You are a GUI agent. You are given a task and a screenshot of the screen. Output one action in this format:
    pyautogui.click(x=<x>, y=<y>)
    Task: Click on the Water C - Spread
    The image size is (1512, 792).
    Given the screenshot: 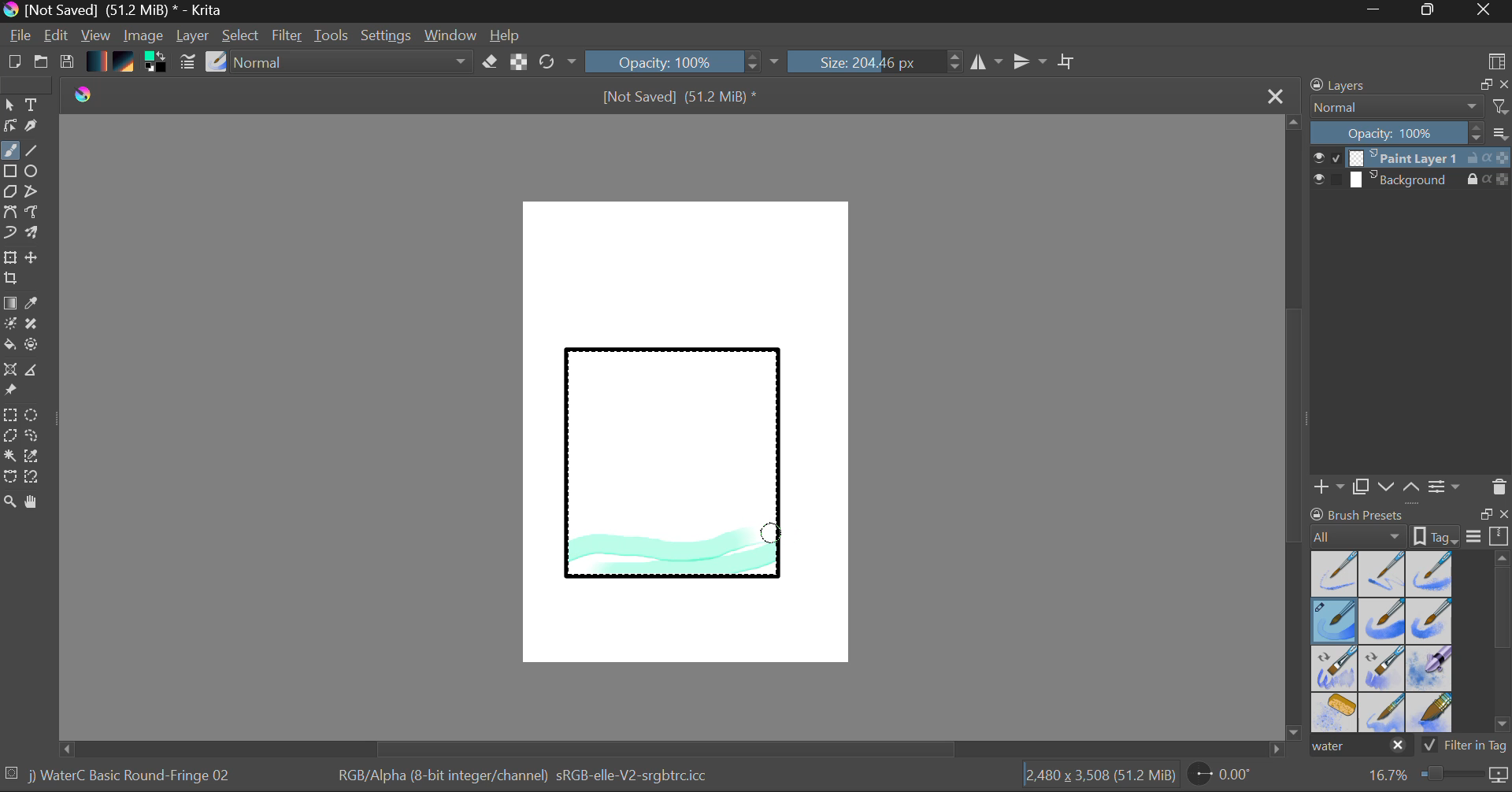 What is the action you would take?
    pyautogui.click(x=1384, y=712)
    